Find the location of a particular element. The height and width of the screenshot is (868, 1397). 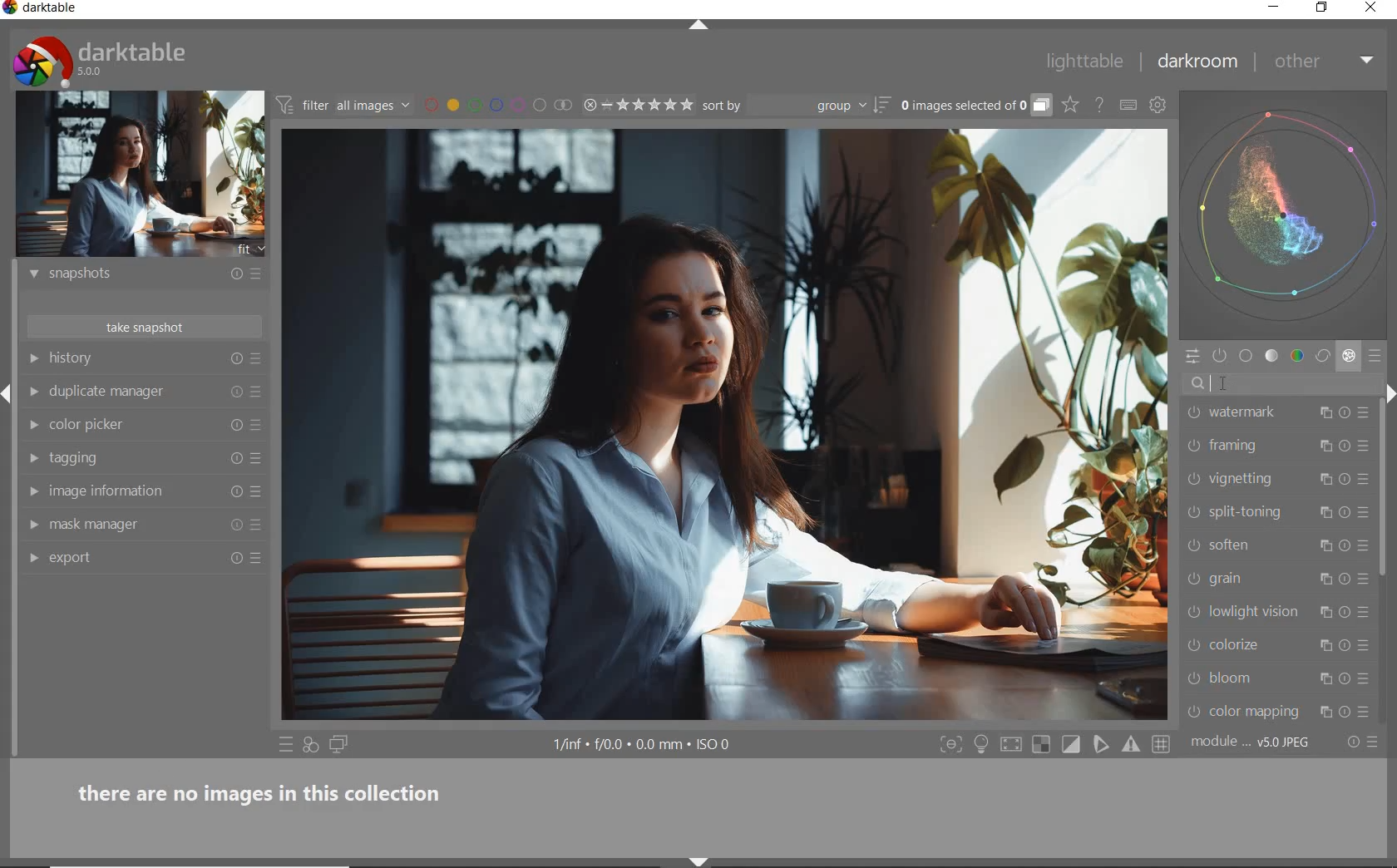

reset is located at coordinates (1345, 545).